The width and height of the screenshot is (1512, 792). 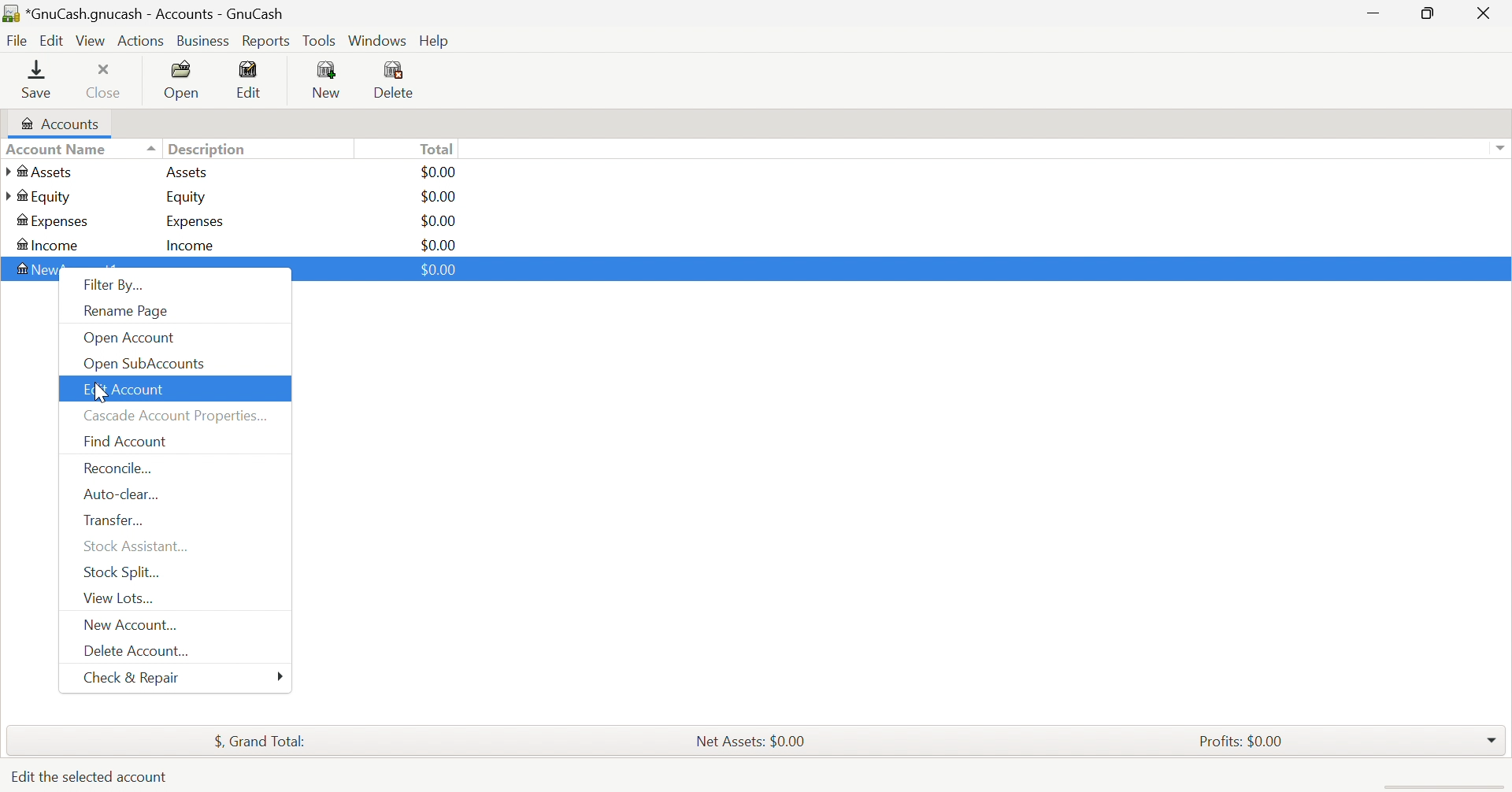 What do you see at coordinates (442, 195) in the screenshot?
I see `$0.00` at bounding box center [442, 195].